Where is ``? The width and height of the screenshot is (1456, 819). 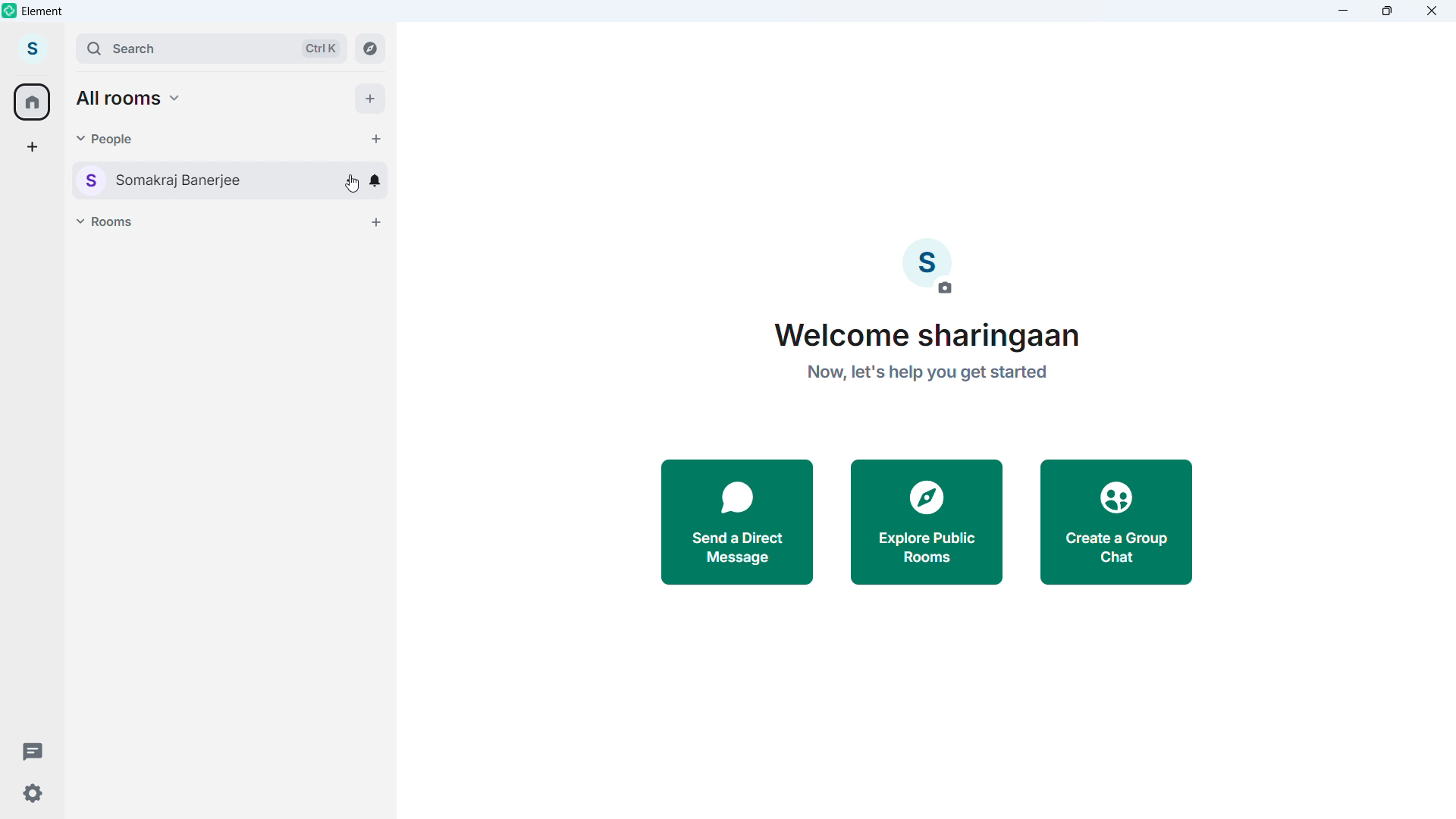  is located at coordinates (370, 49).